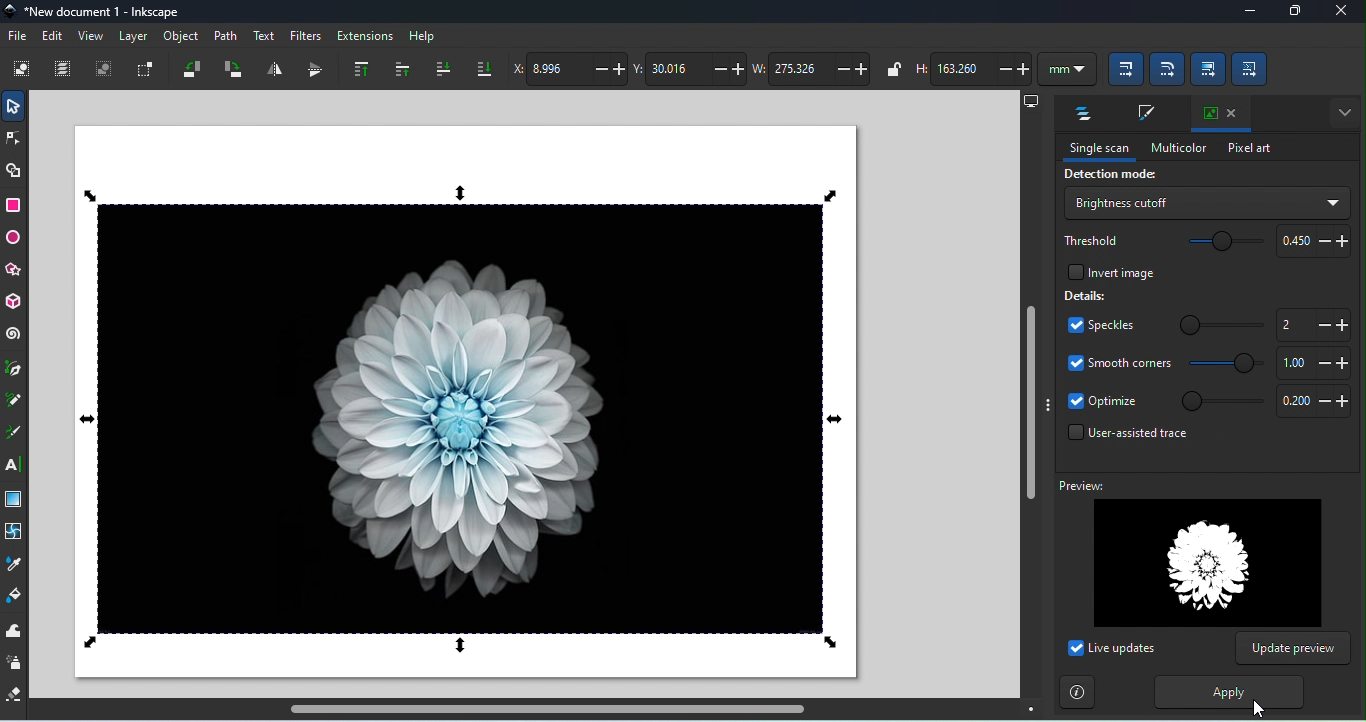 Image resolution: width=1366 pixels, height=722 pixels. I want to click on Invert image, so click(1105, 273).